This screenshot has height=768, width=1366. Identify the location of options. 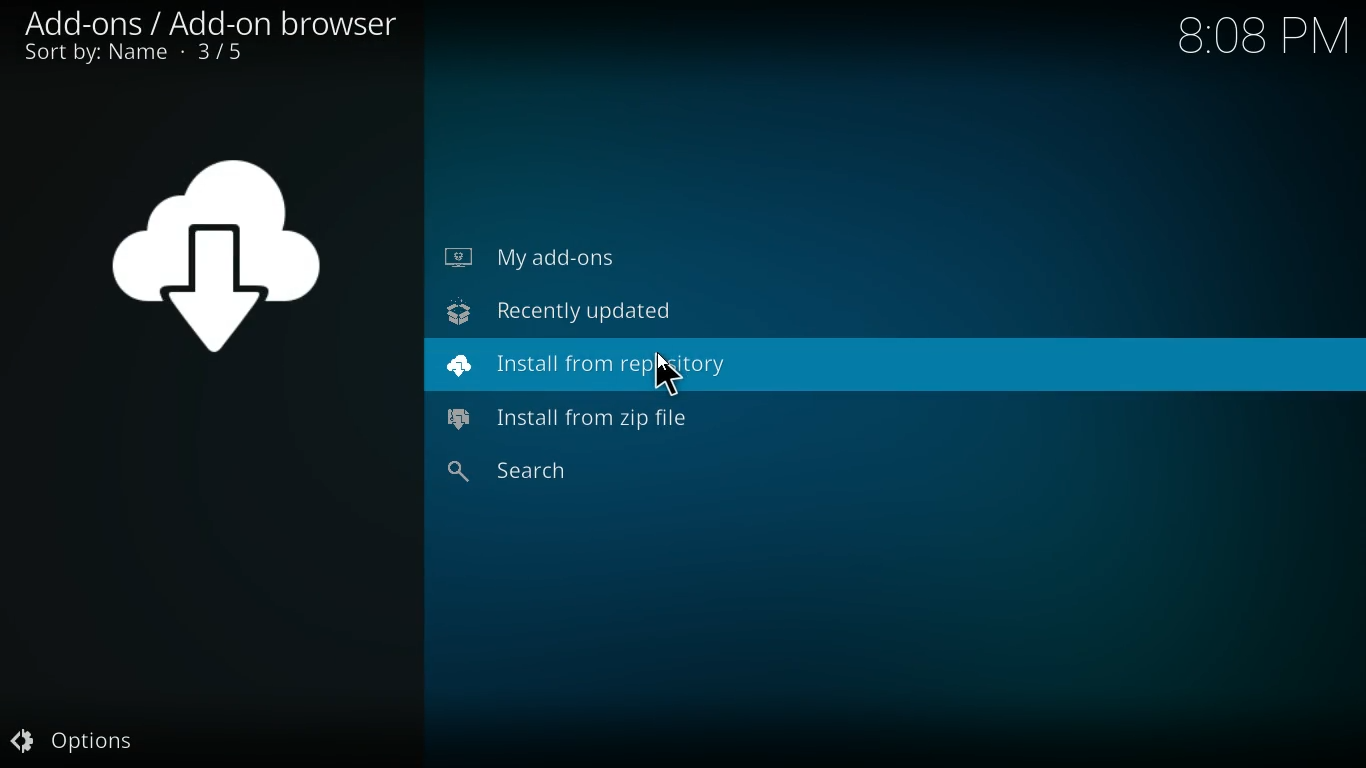
(81, 736).